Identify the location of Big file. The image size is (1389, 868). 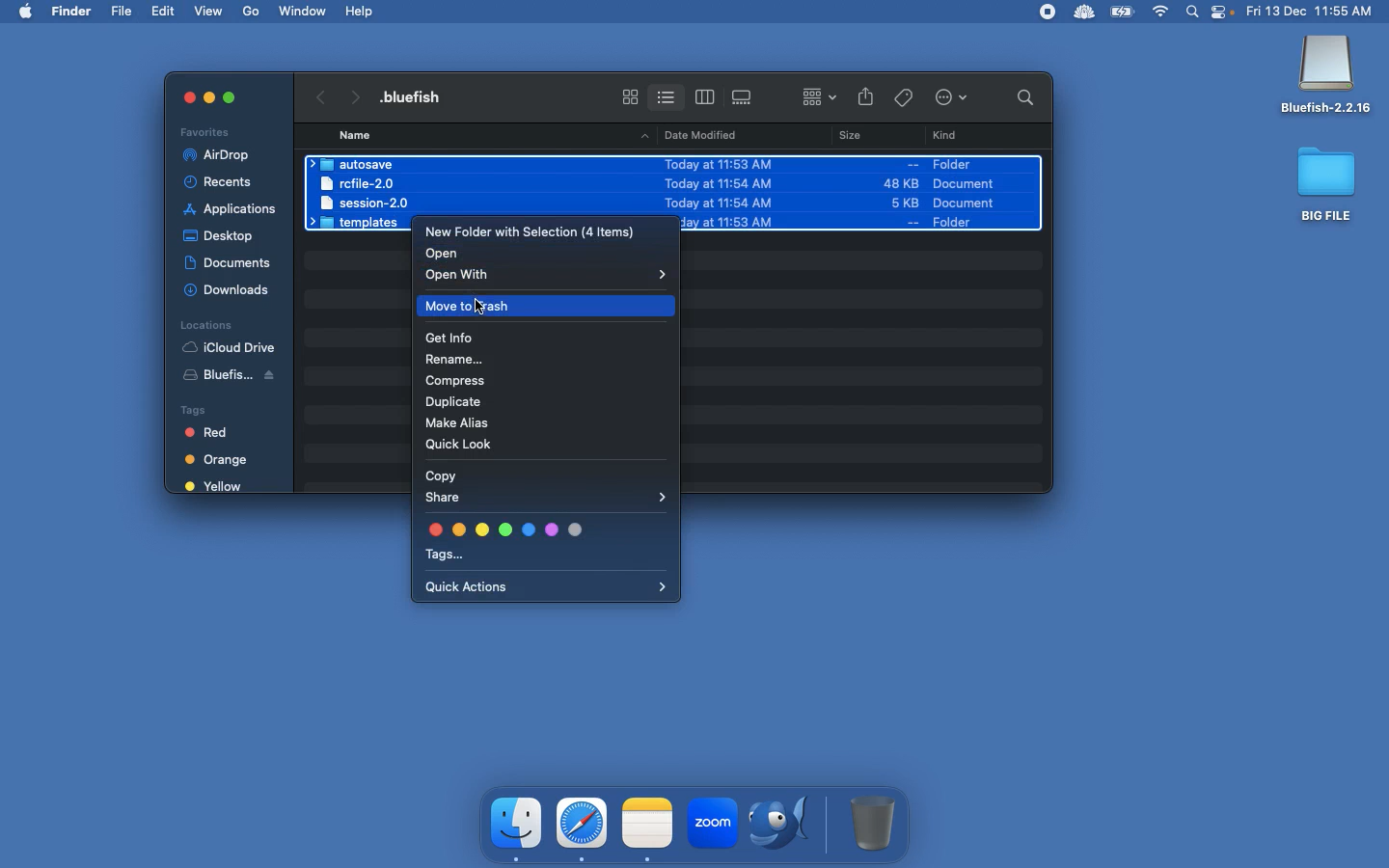
(1327, 183).